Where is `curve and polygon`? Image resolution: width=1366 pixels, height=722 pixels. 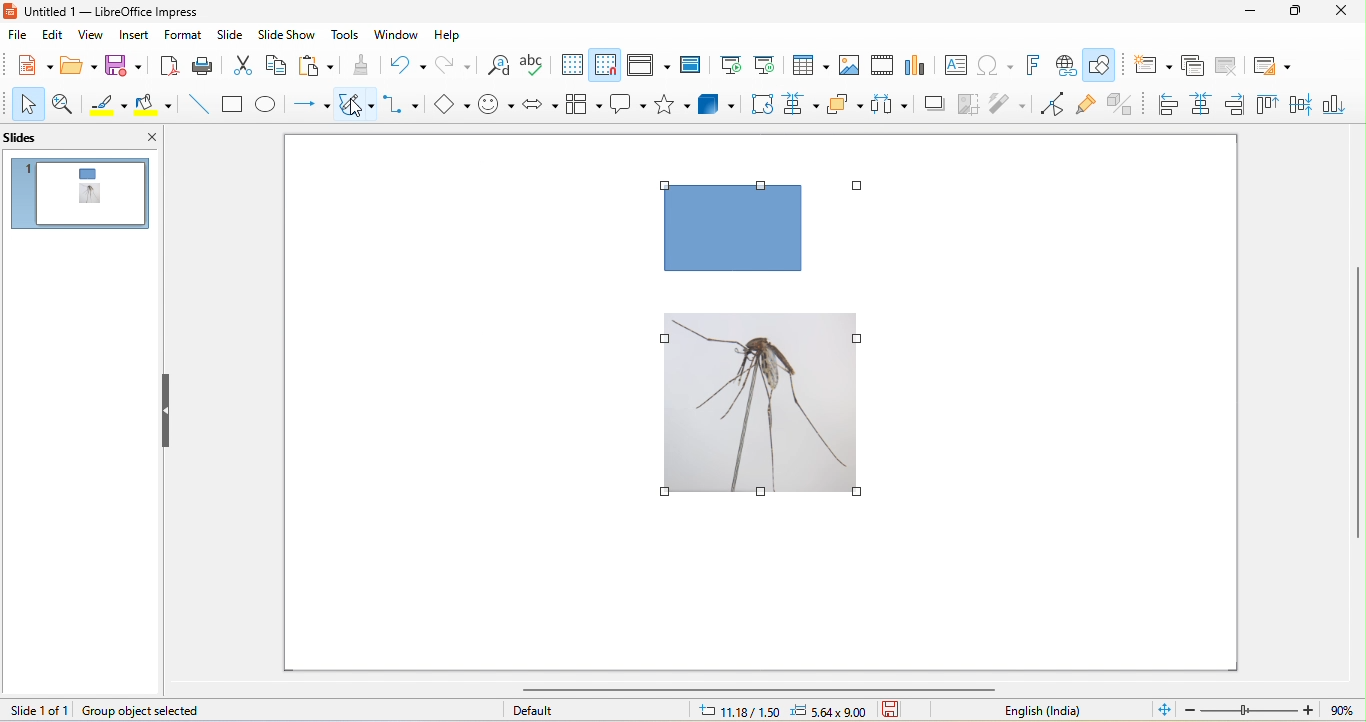 curve and polygon is located at coordinates (359, 106).